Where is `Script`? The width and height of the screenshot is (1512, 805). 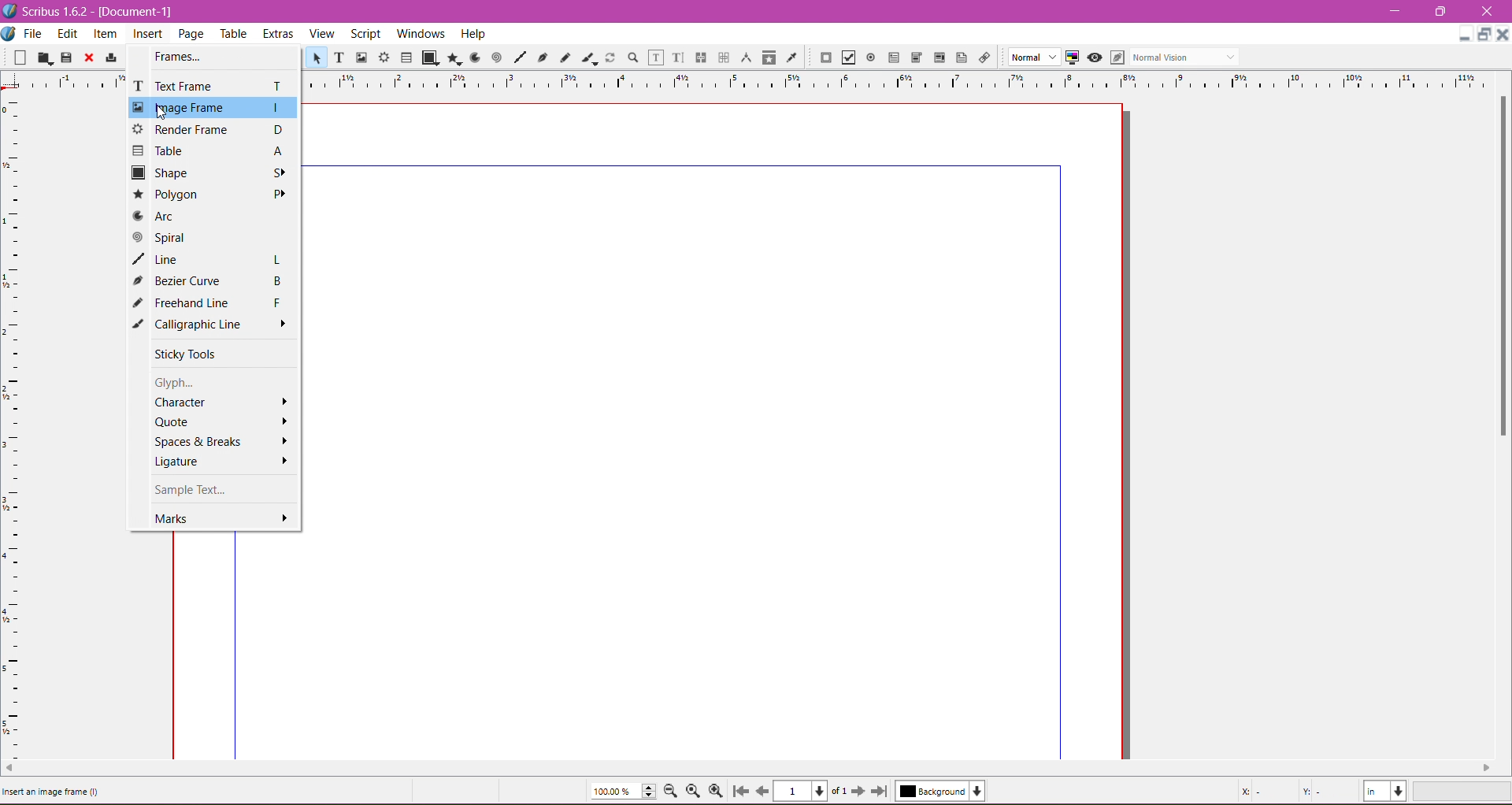
Script is located at coordinates (365, 33).